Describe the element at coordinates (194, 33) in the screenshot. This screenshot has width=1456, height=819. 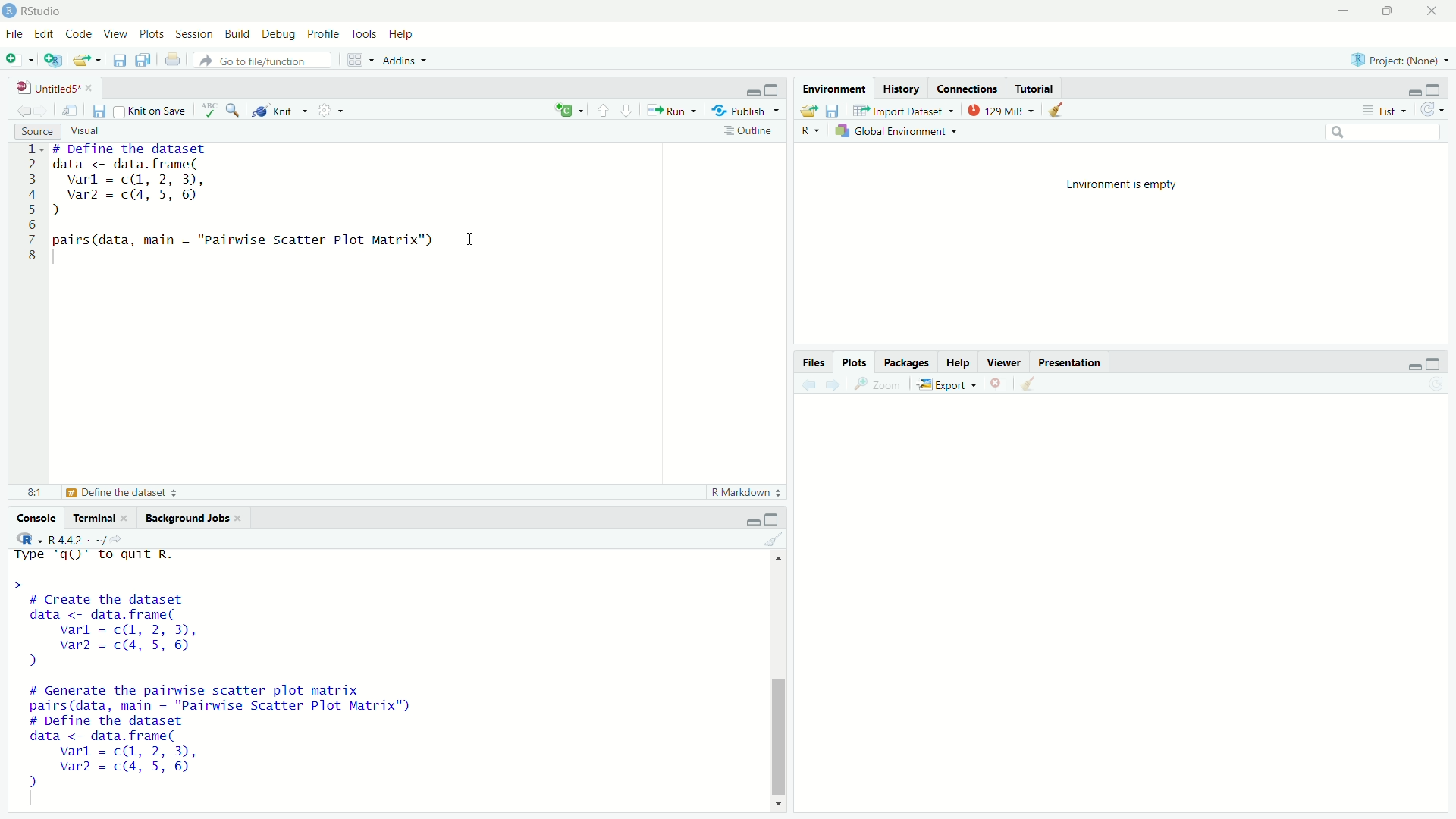
I see `Session` at that location.